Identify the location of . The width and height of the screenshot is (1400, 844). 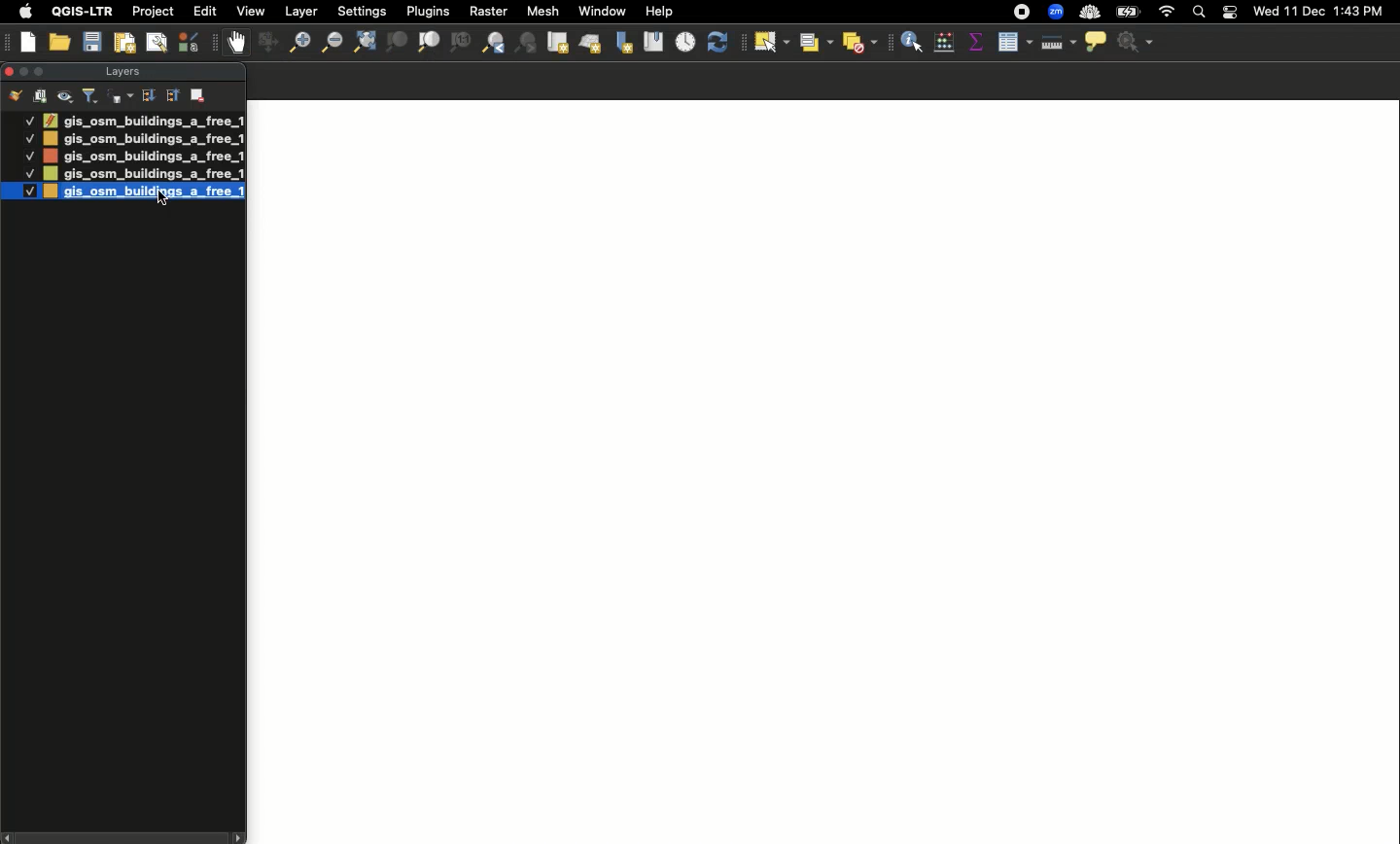
(745, 42).